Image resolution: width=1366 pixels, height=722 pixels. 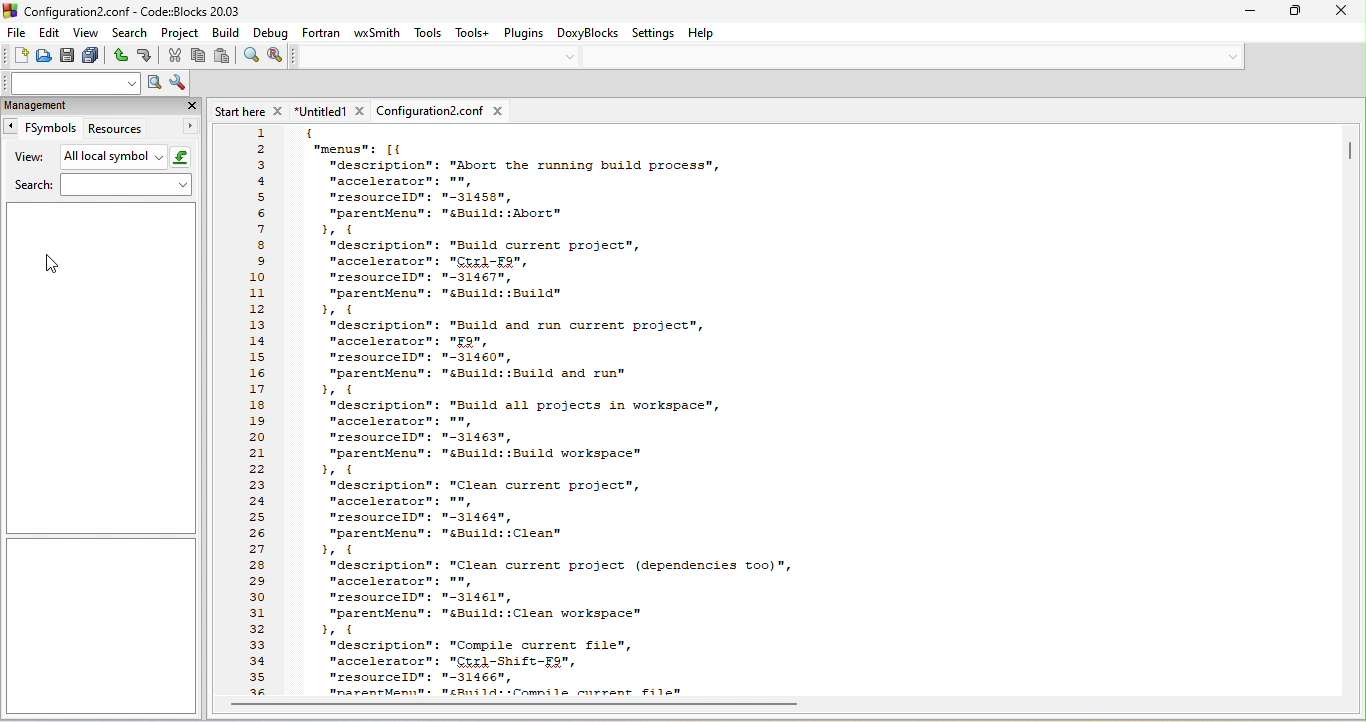 I want to click on minimize, so click(x=1250, y=12).